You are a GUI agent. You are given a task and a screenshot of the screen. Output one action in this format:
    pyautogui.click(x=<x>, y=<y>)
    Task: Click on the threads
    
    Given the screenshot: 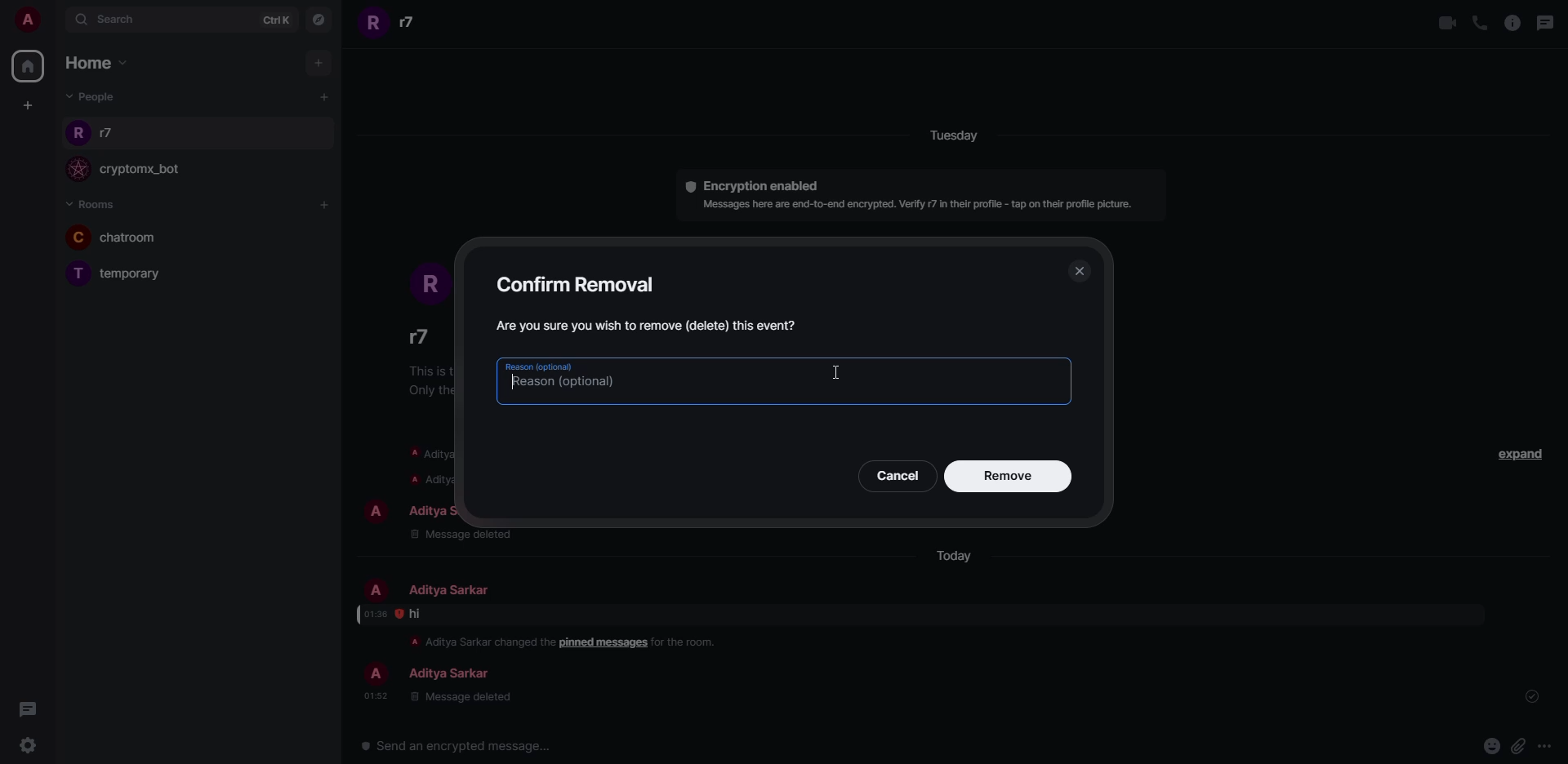 What is the action you would take?
    pyautogui.click(x=1548, y=22)
    